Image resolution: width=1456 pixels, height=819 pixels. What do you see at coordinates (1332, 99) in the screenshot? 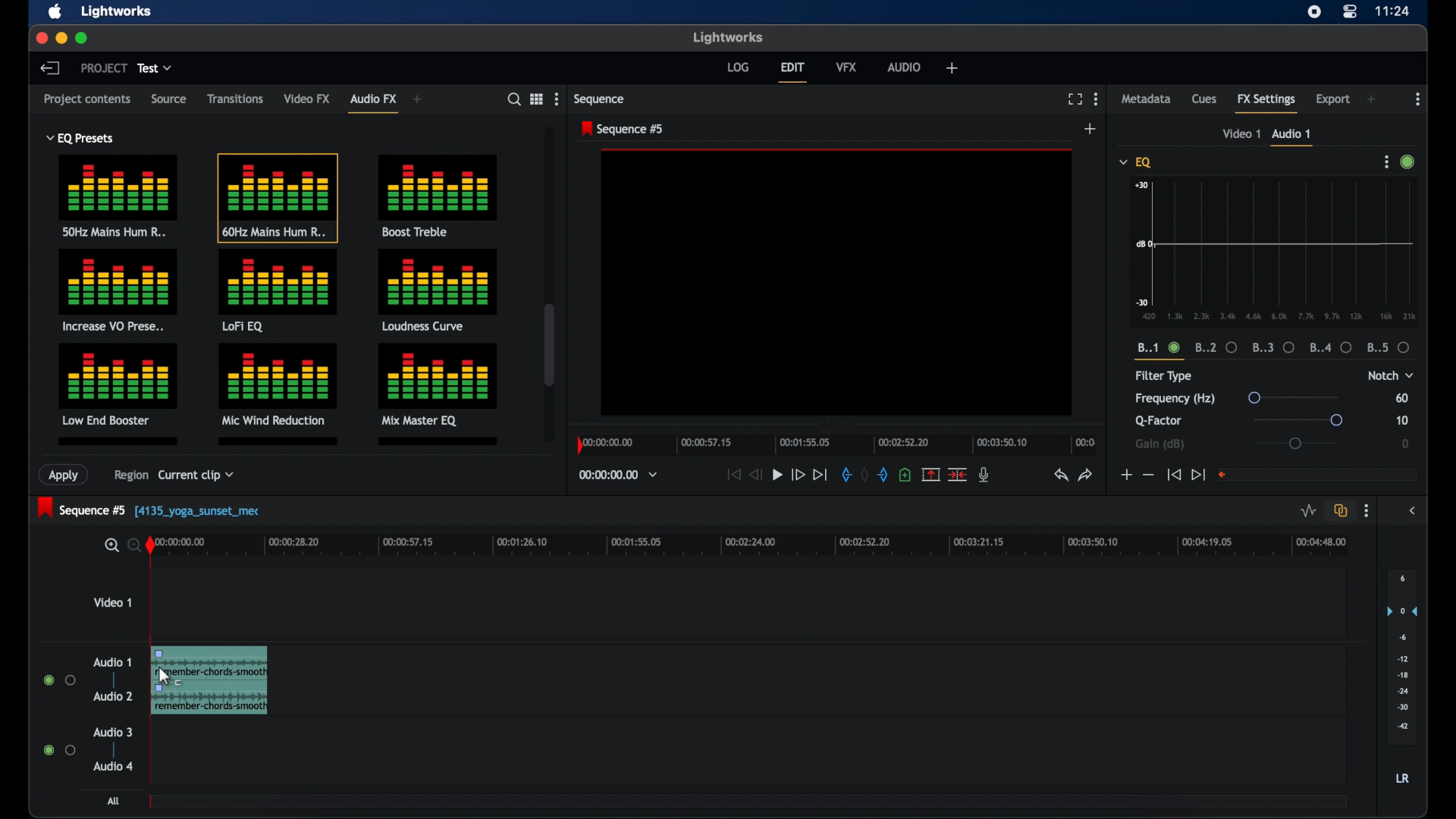
I see `export` at bounding box center [1332, 99].